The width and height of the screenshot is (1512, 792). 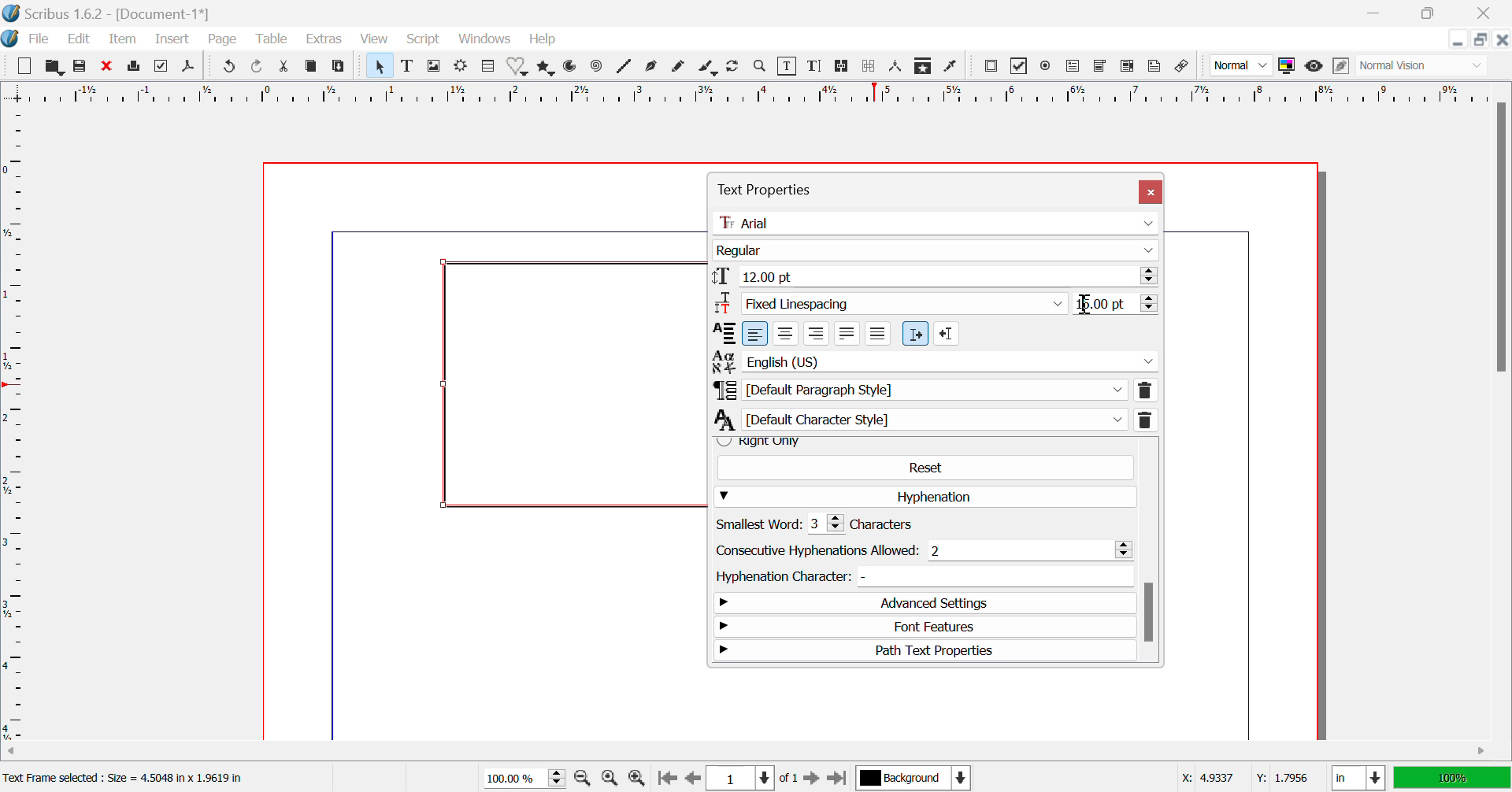 I want to click on Item, so click(x=123, y=41).